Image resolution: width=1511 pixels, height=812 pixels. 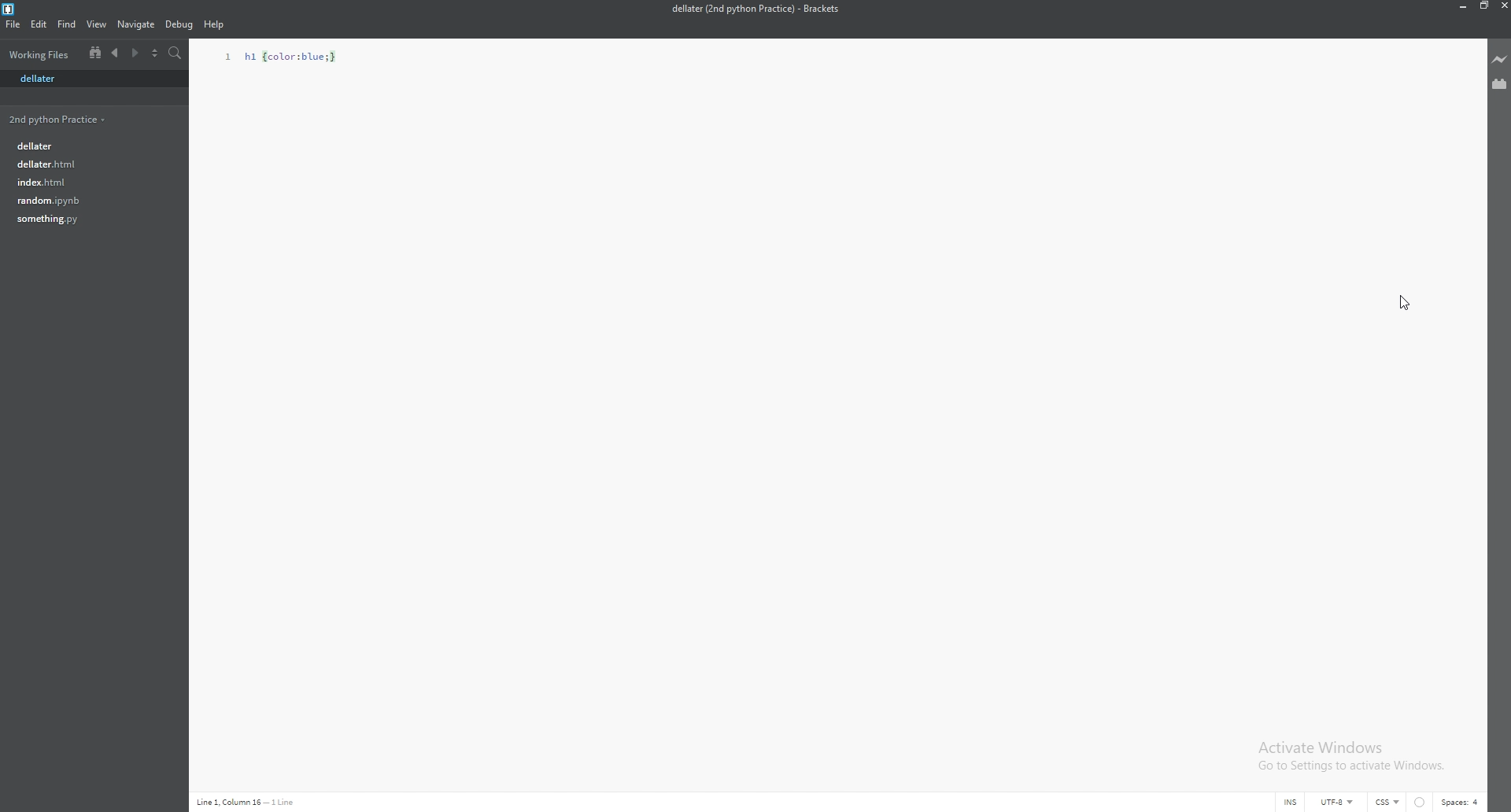 I want to click on css, so click(x=1388, y=802).